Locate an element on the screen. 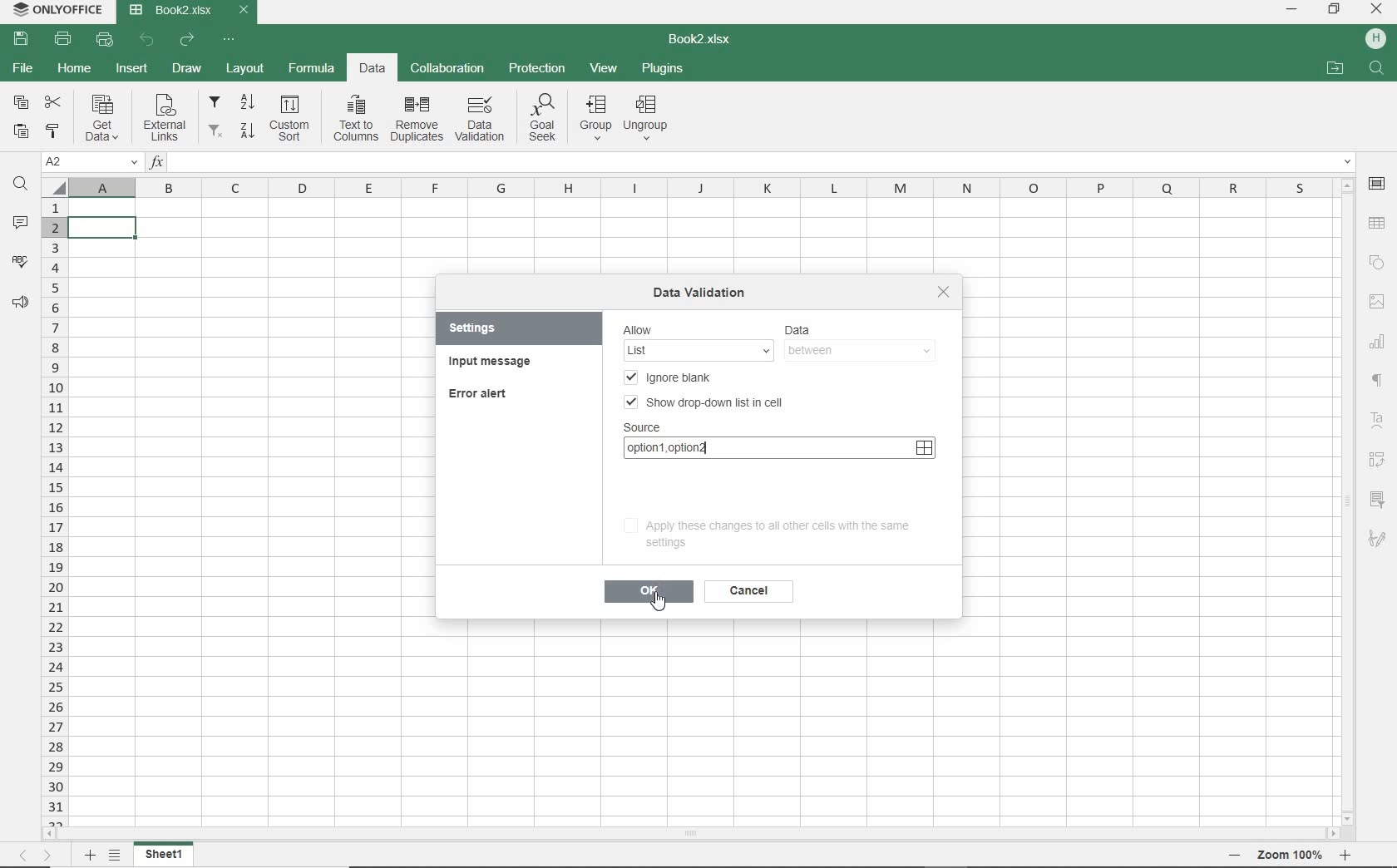  SOURCE is located at coordinates (642, 427).